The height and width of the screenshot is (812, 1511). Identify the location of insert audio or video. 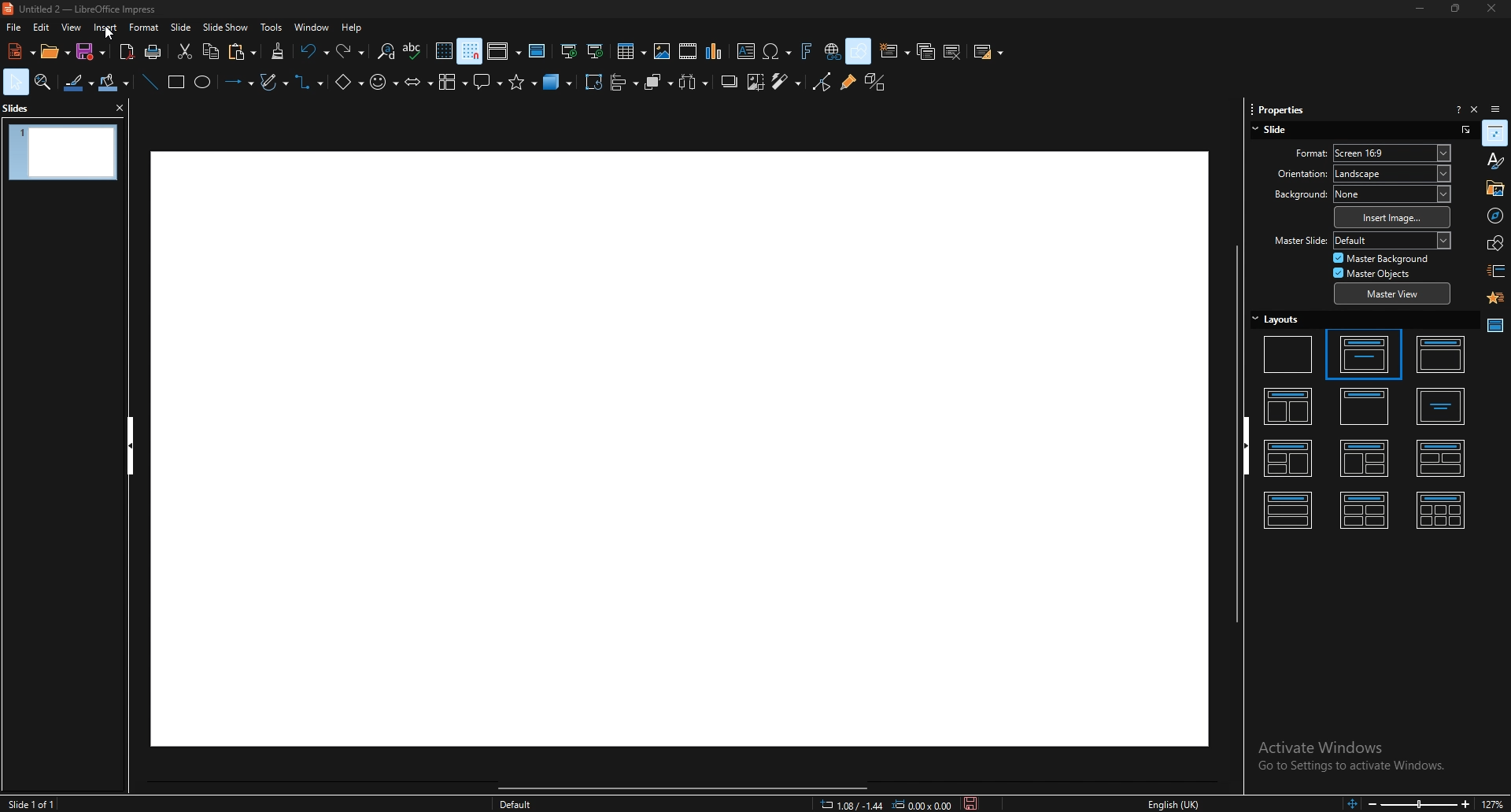
(688, 51).